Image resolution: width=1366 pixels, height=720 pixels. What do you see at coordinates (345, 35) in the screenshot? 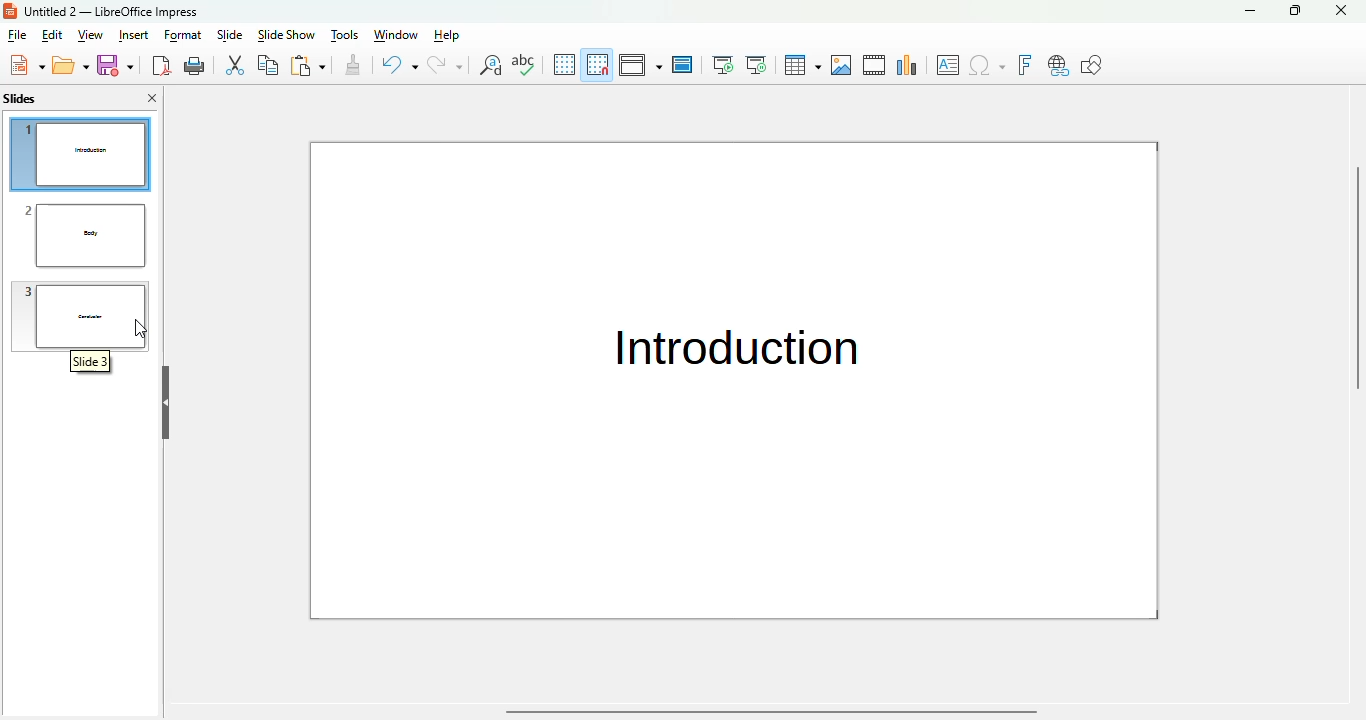
I see `tools` at bounding box center [345, 35].